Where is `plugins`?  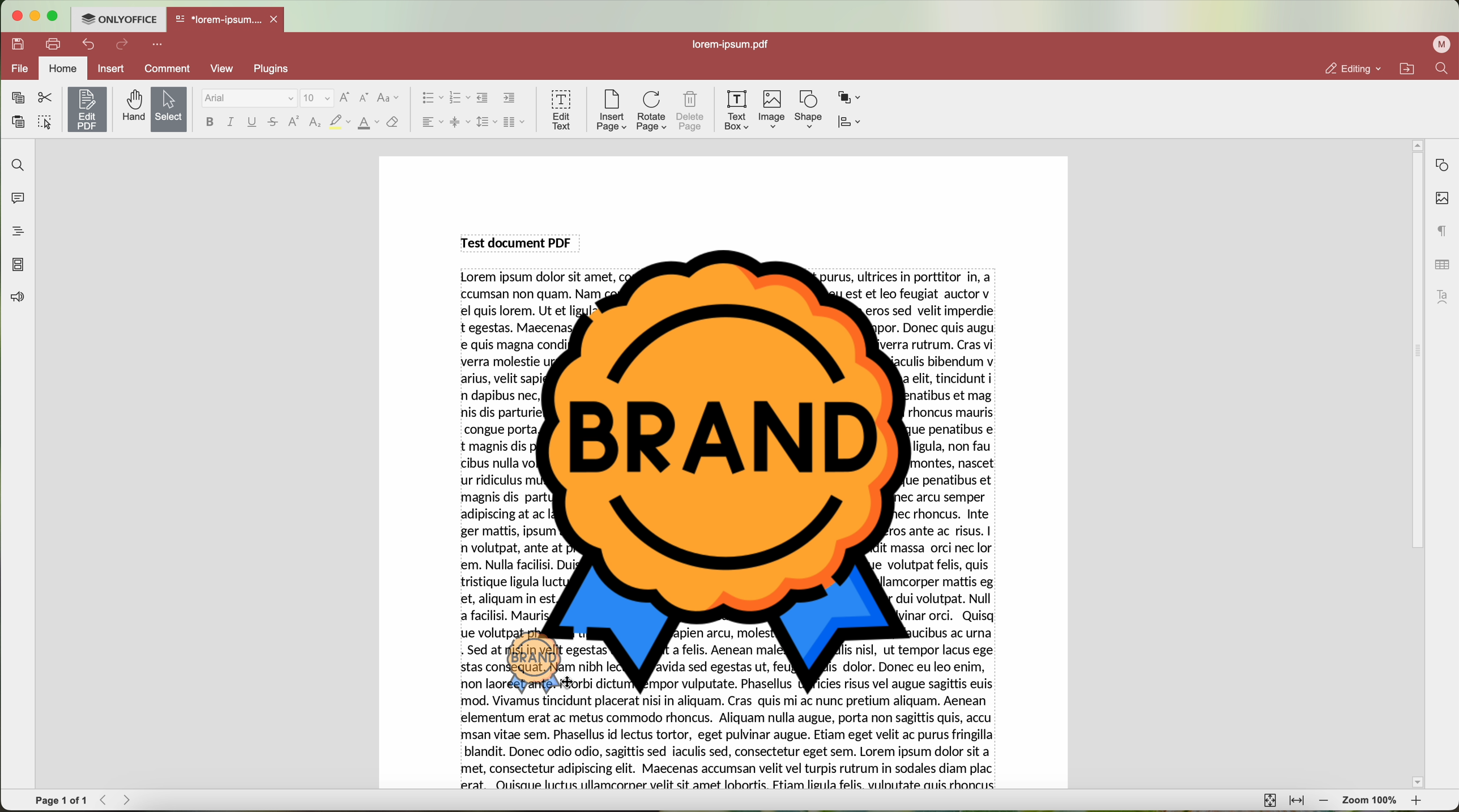 plugins is located at coordinates (278, 69).